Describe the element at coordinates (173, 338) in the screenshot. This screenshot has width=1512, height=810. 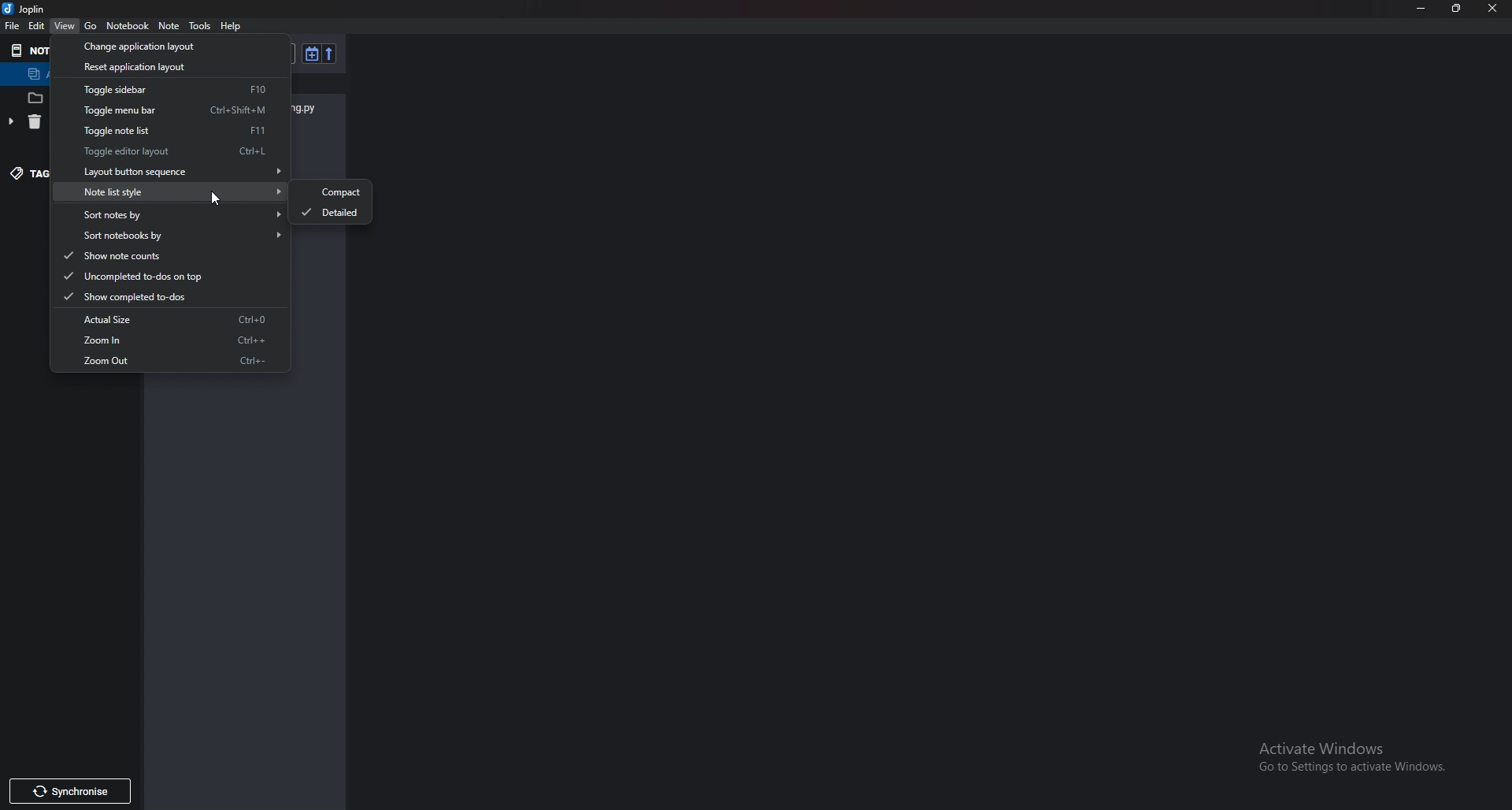
I see `Zoom in` at that location.